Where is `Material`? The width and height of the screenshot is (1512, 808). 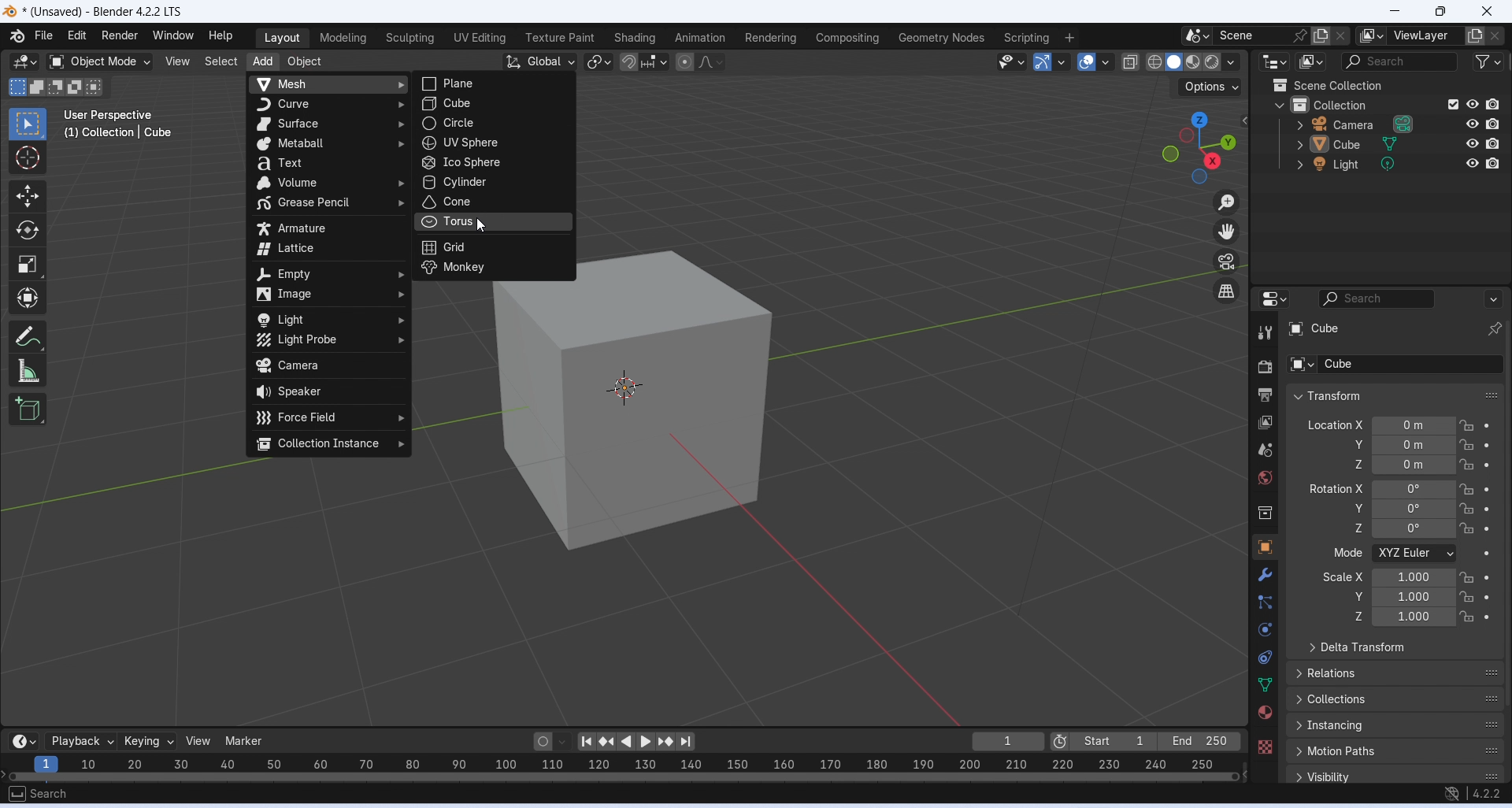 Material is located at coordinates (1264, 712).